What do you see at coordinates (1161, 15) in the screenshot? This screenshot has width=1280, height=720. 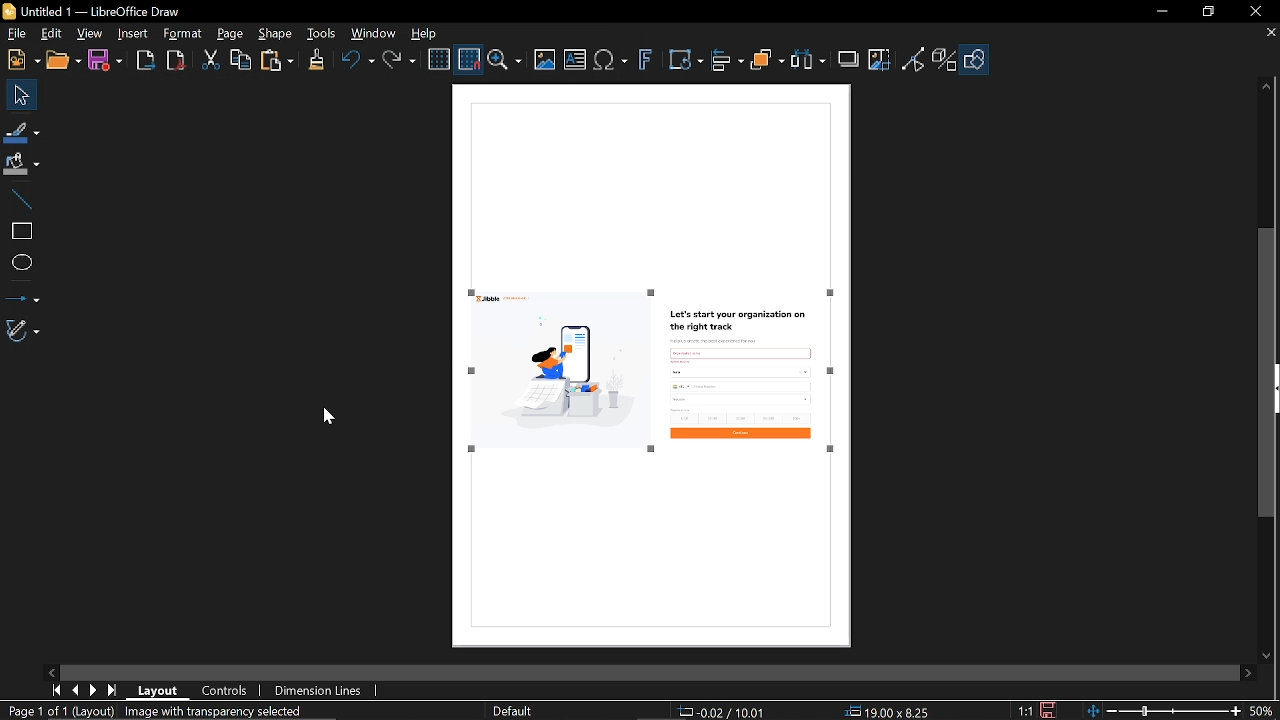 I see `Minimize` at bounding box center [1161, 15].